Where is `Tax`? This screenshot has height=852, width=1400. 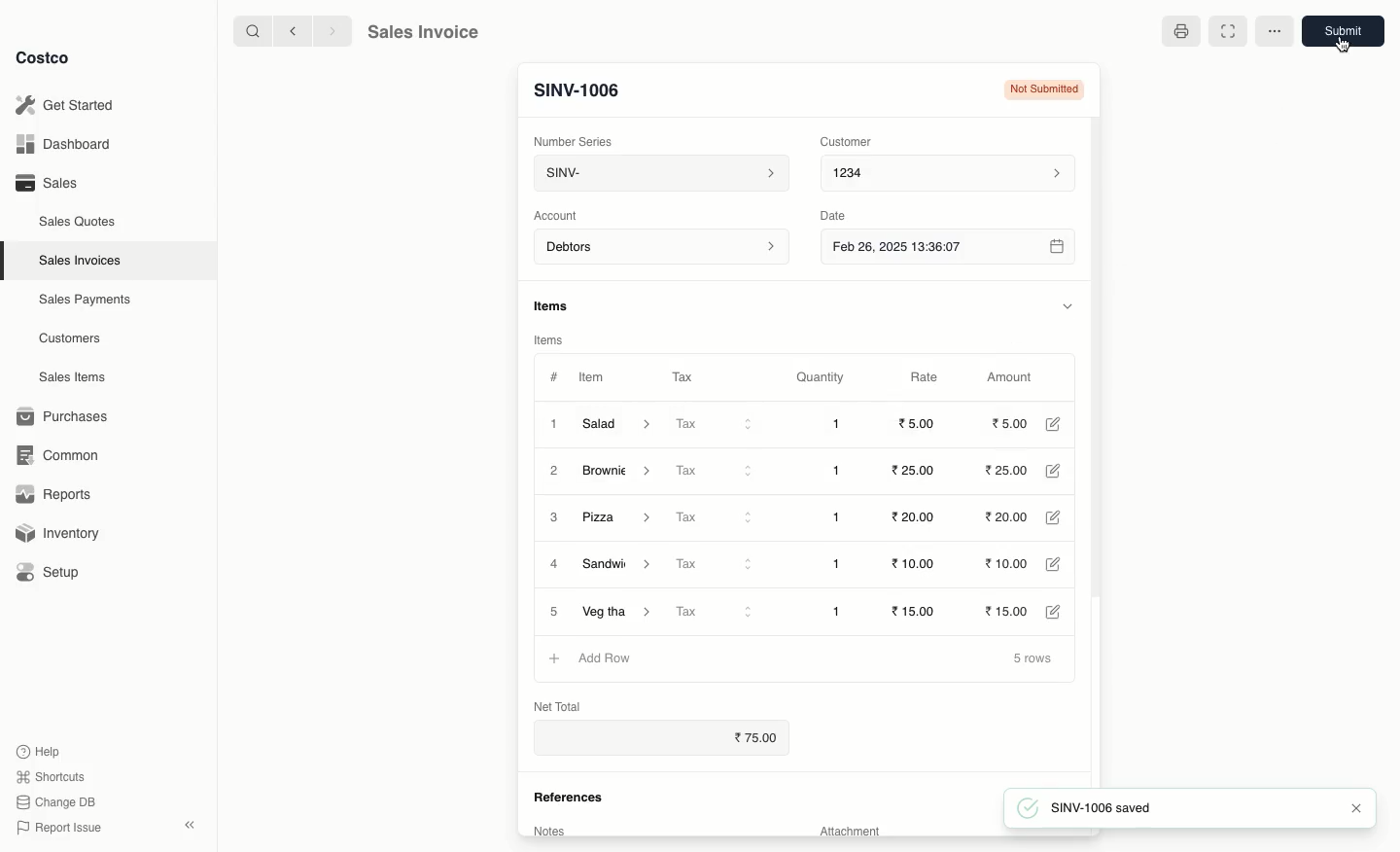
Tax is located at coordinates (682, 373).